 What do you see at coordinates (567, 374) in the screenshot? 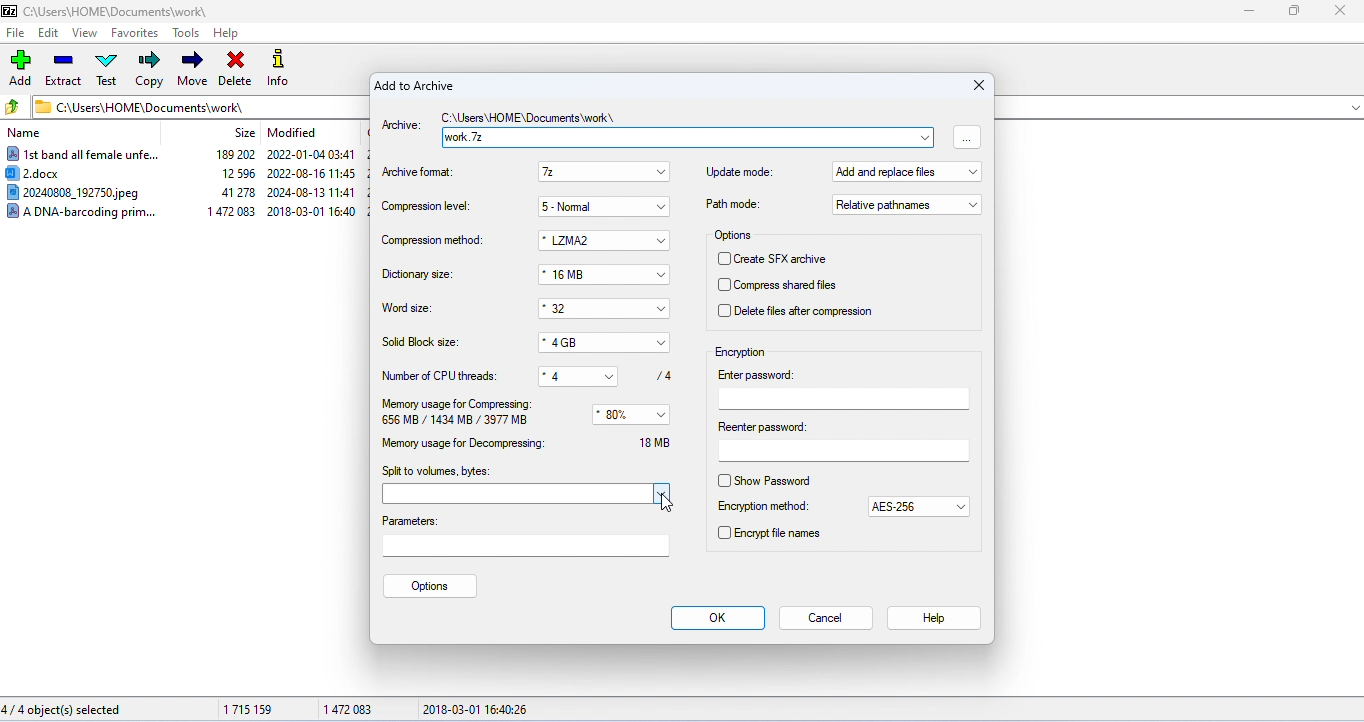
I see `*4` at bounding box center [567, 374].